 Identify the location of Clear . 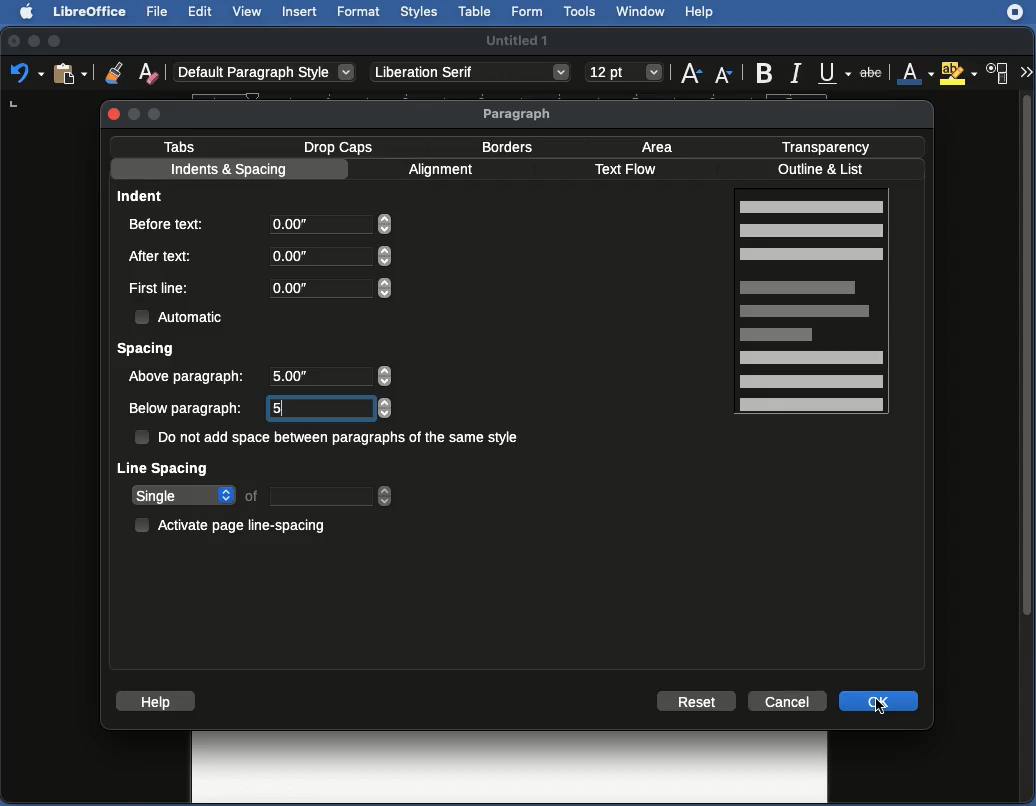
(149, 72).